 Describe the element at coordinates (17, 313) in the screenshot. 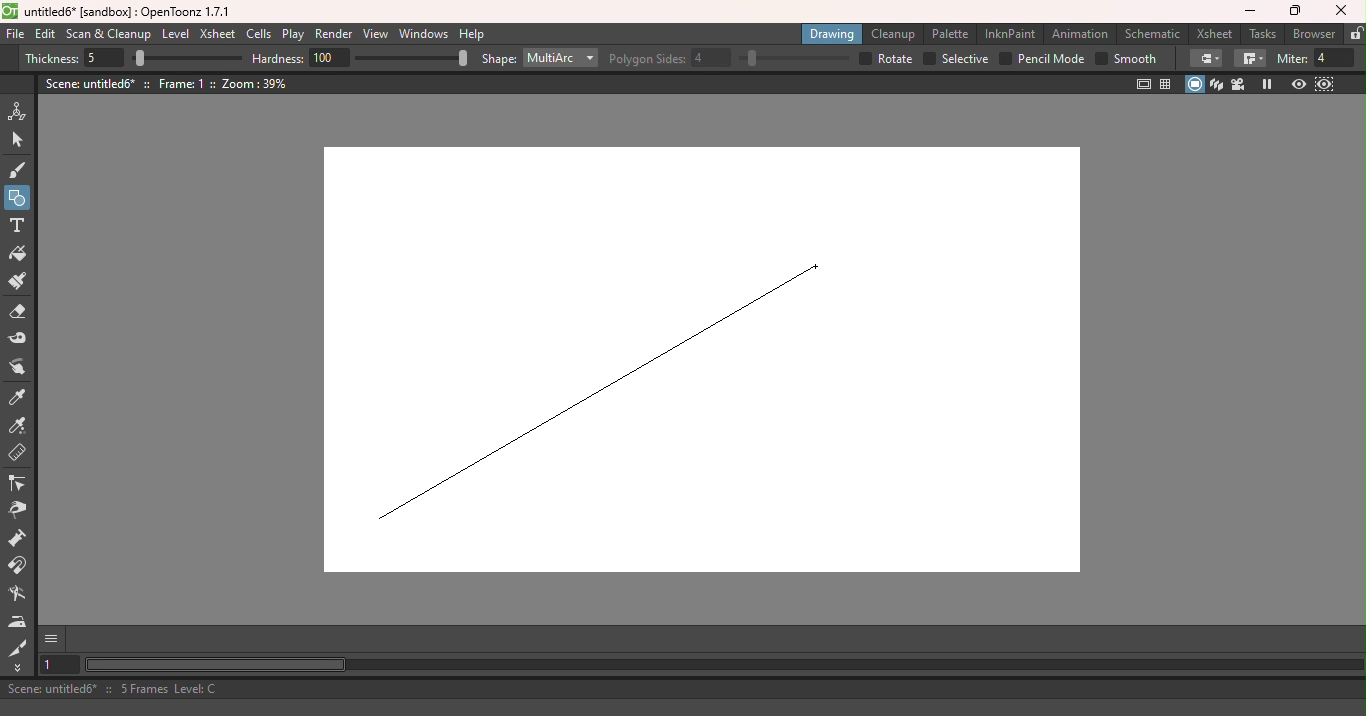

I see `Eraser tool` at that location.